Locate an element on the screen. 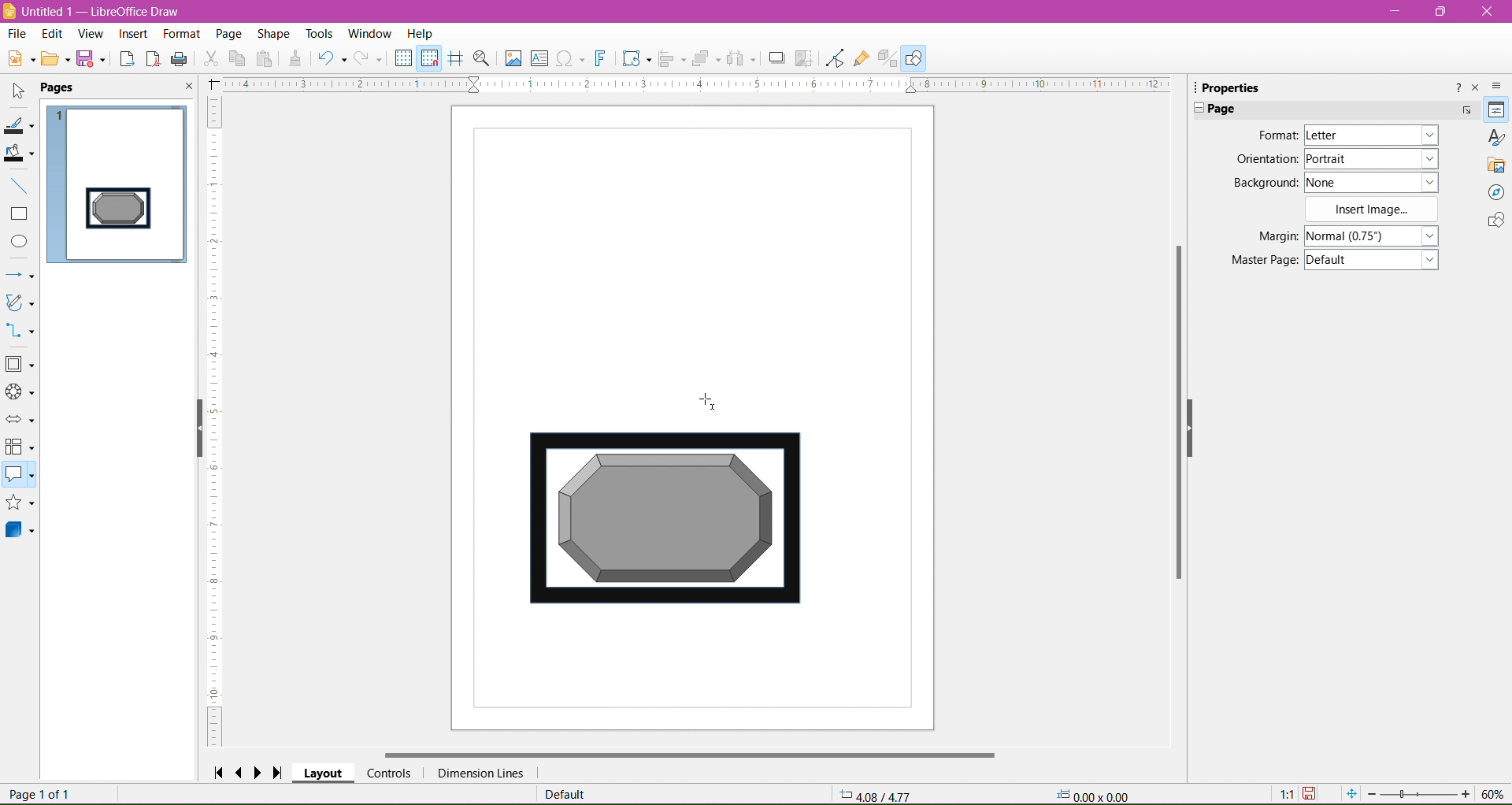  Toggle Point Edit Mode is located at coordinates (833, 60).